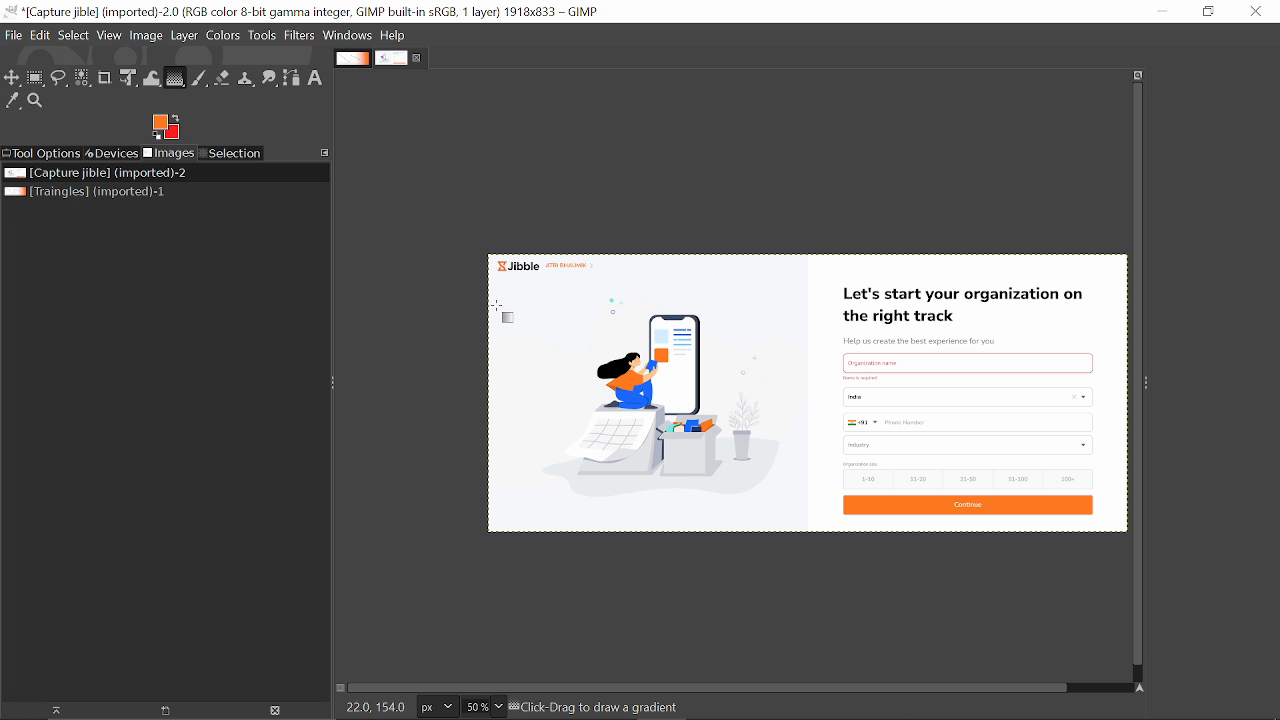 Image resolution: width=1280 pixels, height=720 pixels. What do you see at coordinates (1210, 12) in the screenshot?
I see `Restore down` at bounding box center [1210, 12].